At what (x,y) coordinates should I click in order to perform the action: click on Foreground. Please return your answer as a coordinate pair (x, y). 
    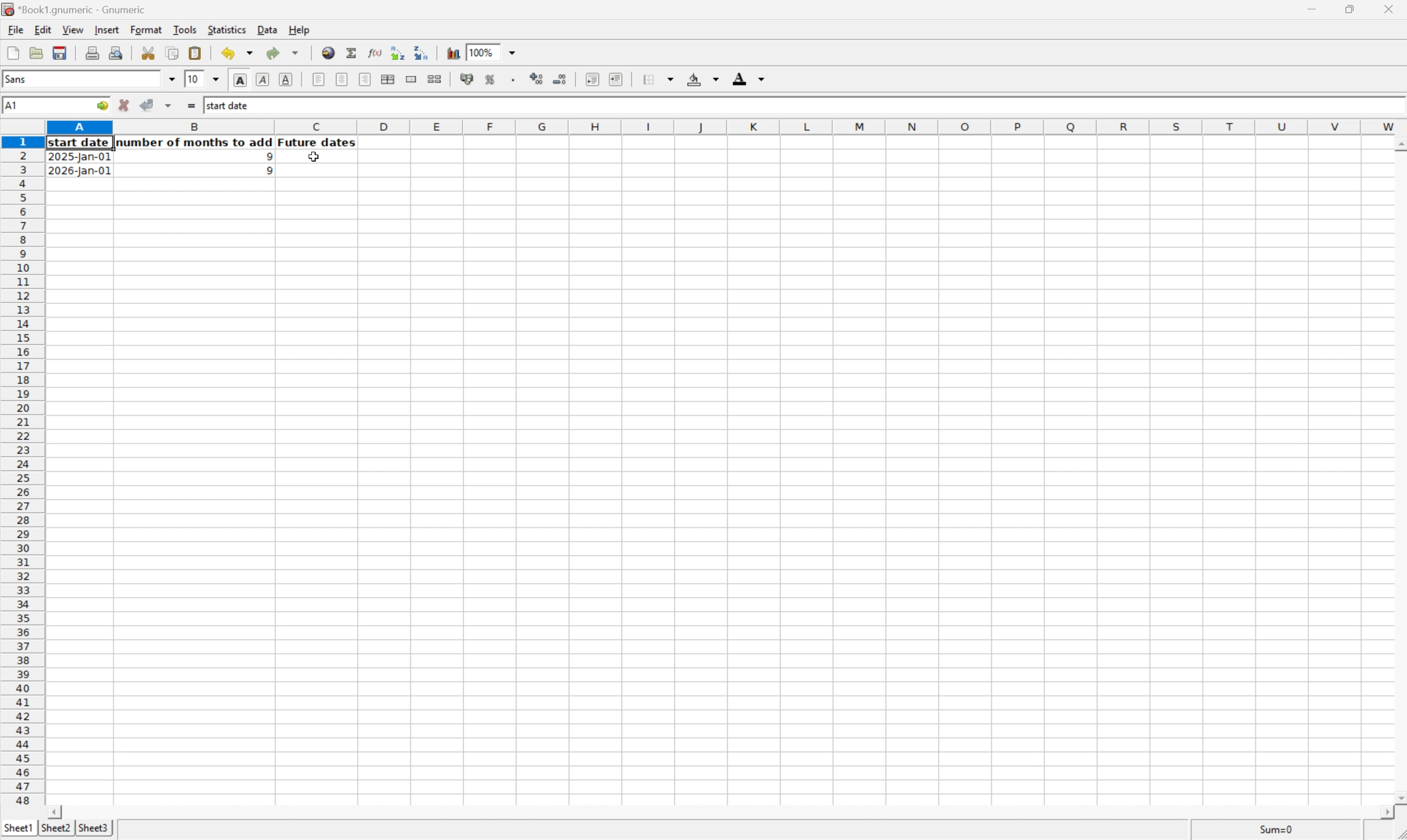
    Looking at the image, I should click on (750, 78).